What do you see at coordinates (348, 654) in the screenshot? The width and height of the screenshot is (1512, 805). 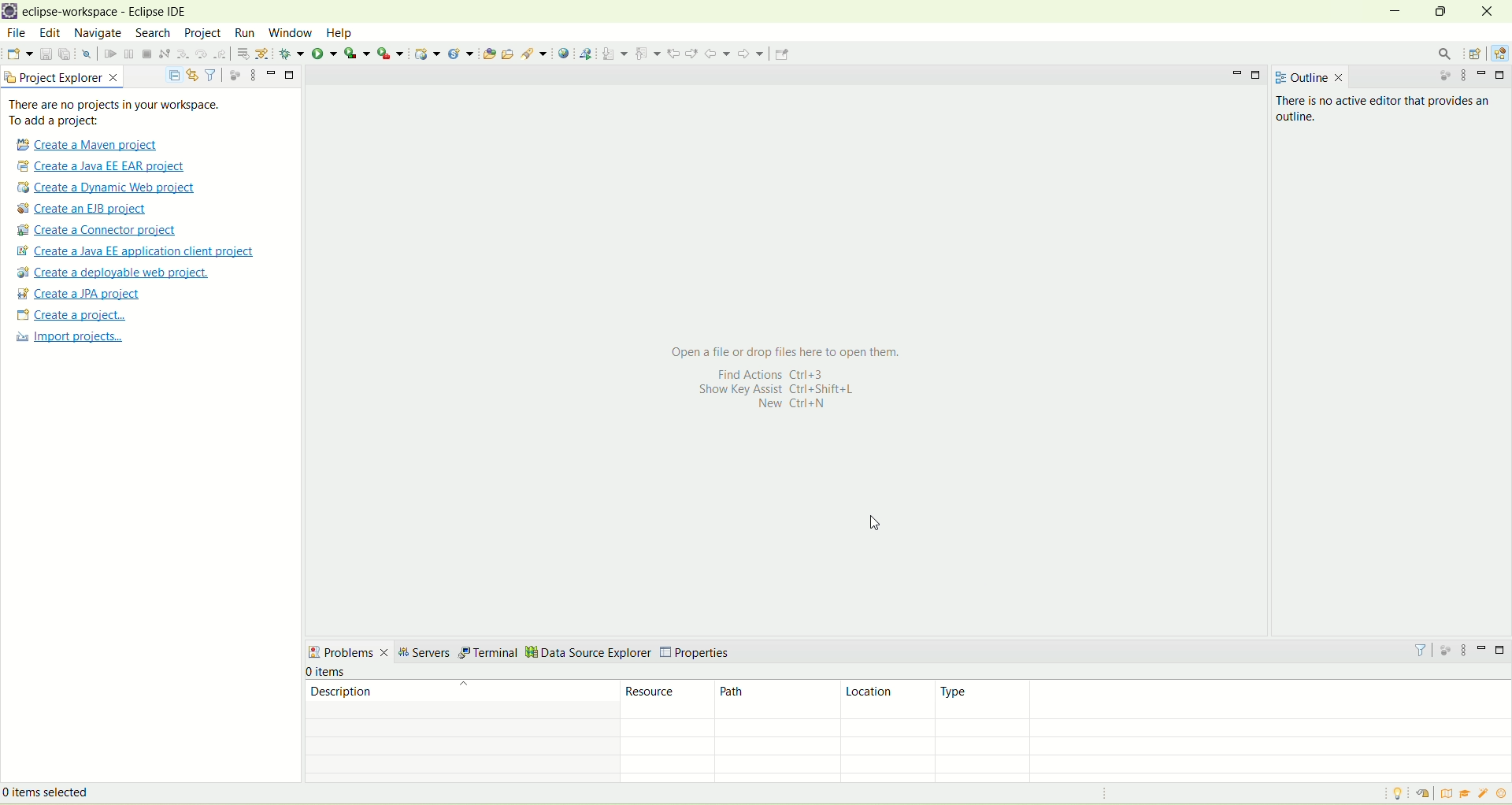 I see `problems` at bounding box center [348, 654].